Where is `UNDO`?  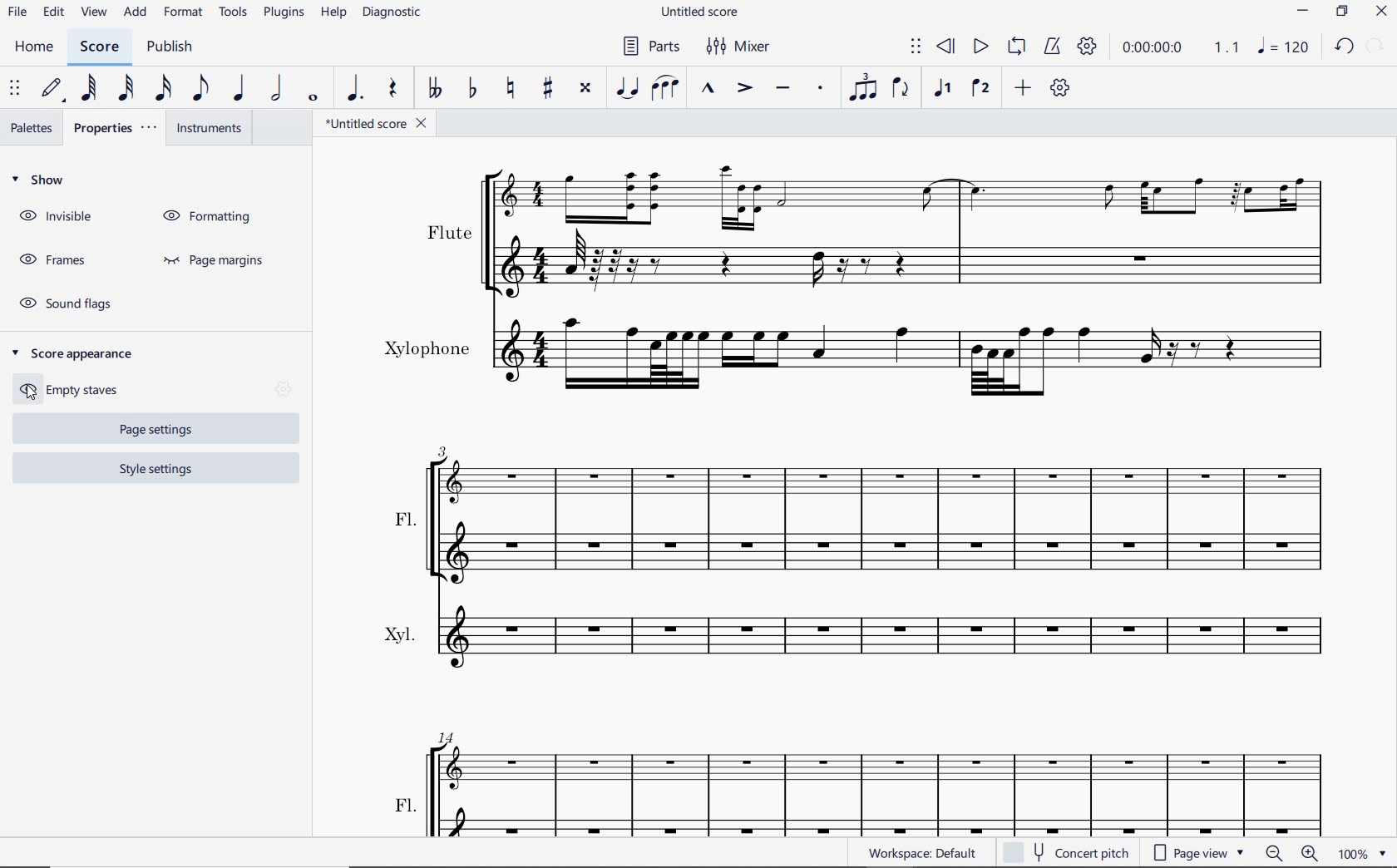
UNDO is located at coordinates (1343, 47).